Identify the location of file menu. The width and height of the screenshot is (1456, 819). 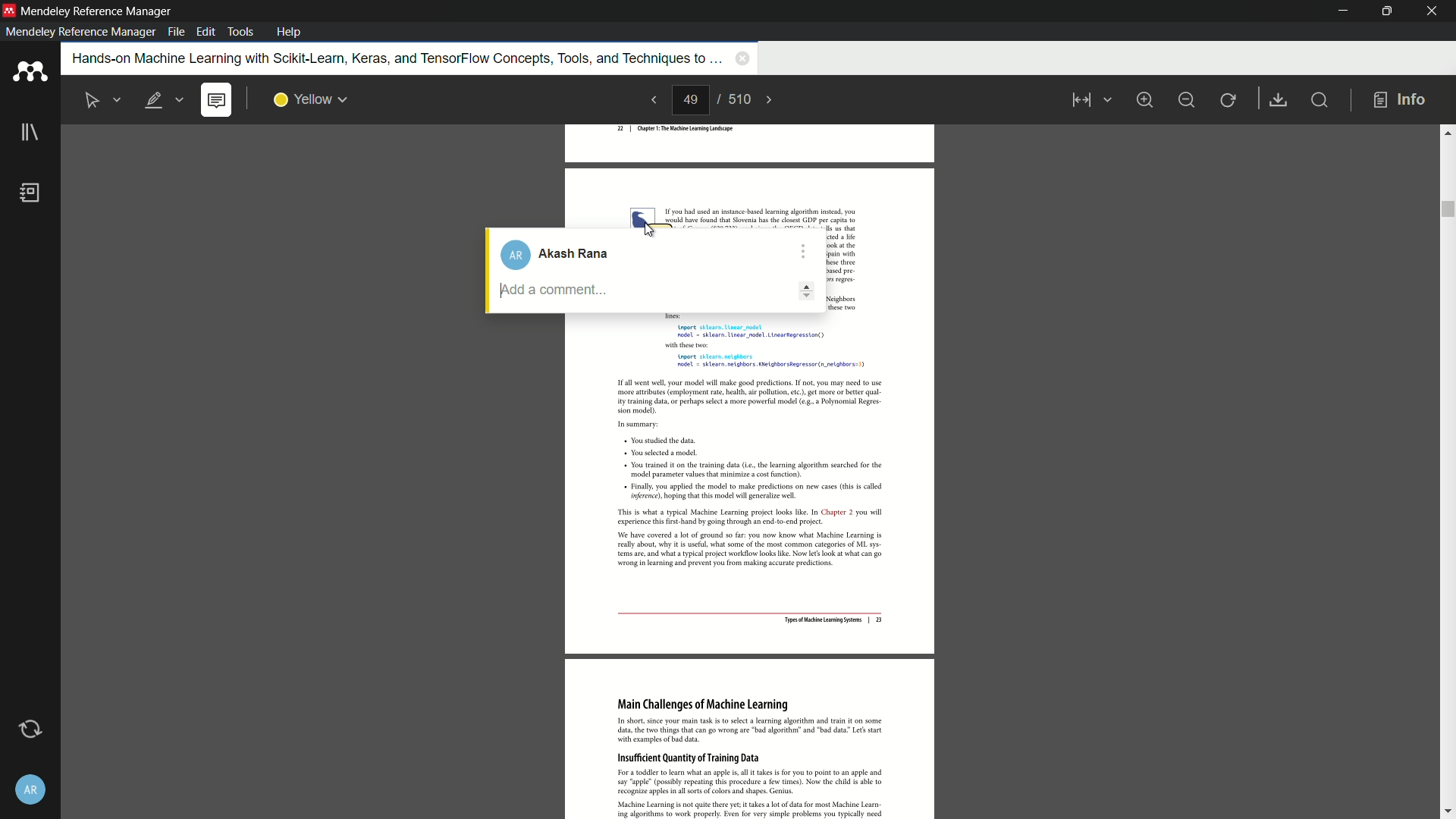
(174, 33).